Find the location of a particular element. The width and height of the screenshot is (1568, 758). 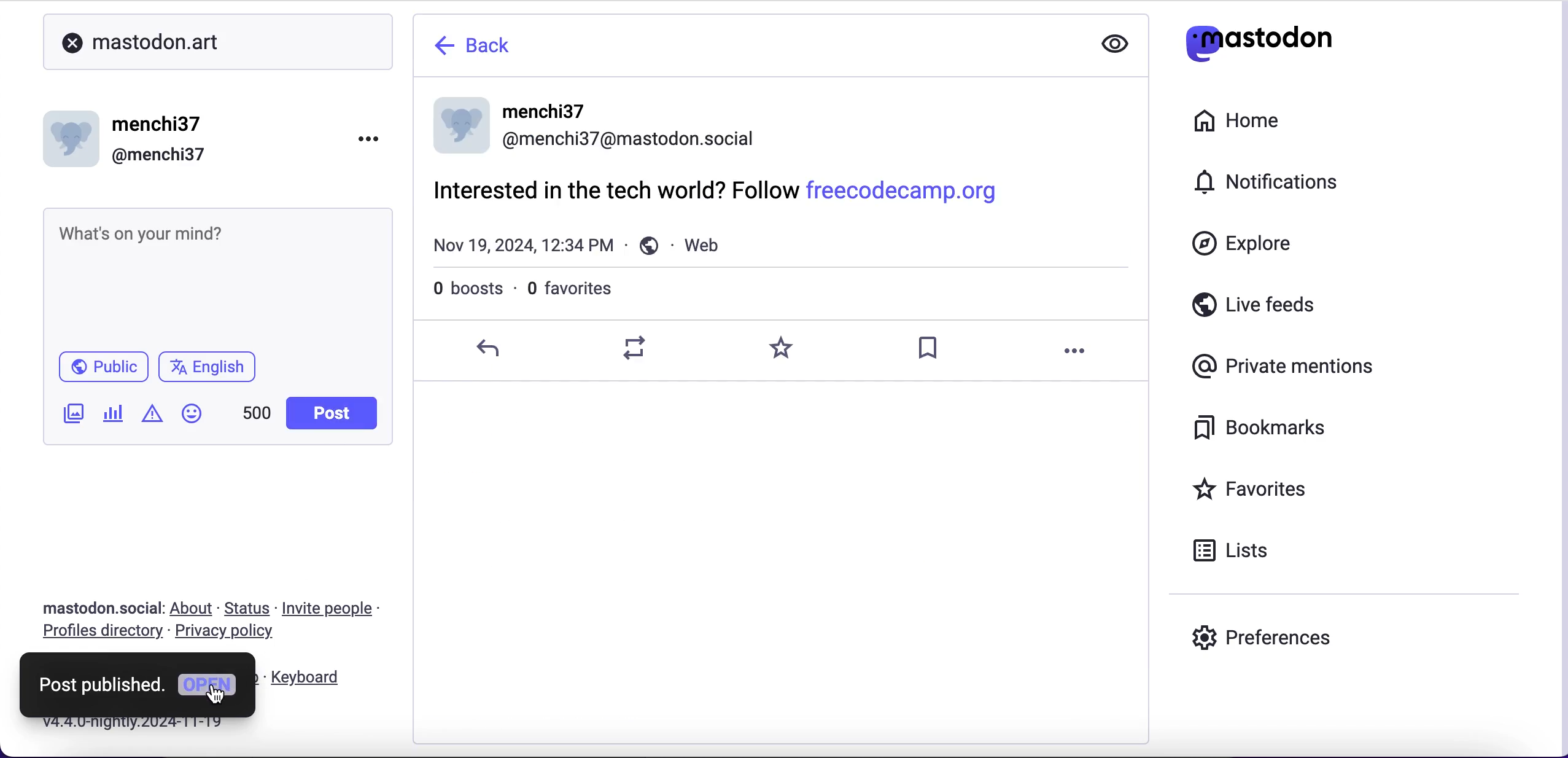

show less for all is located at coordinates (1115, 42).